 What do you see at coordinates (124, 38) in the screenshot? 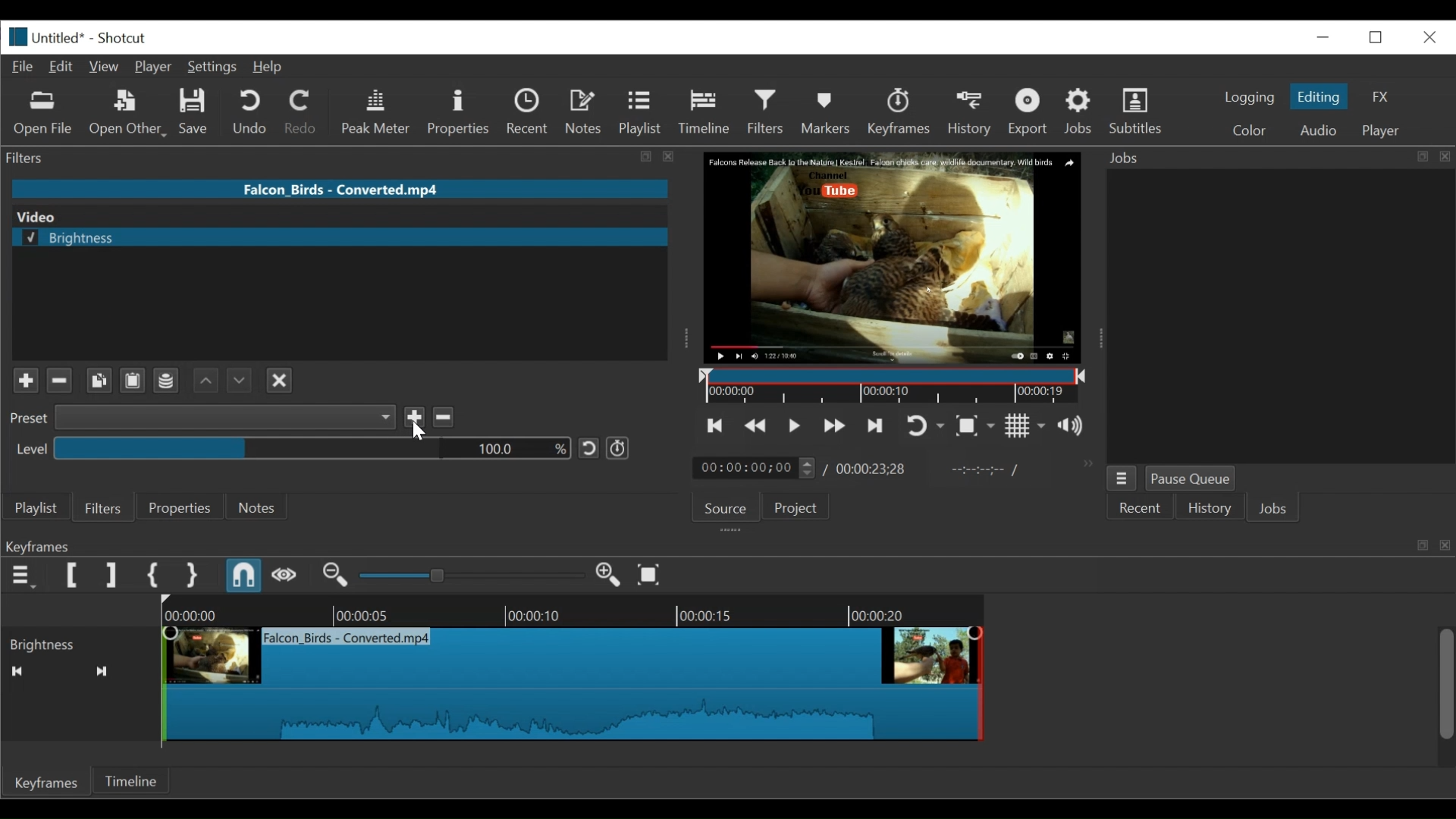
I see `Shotcut` at bounding box center [124, 38].